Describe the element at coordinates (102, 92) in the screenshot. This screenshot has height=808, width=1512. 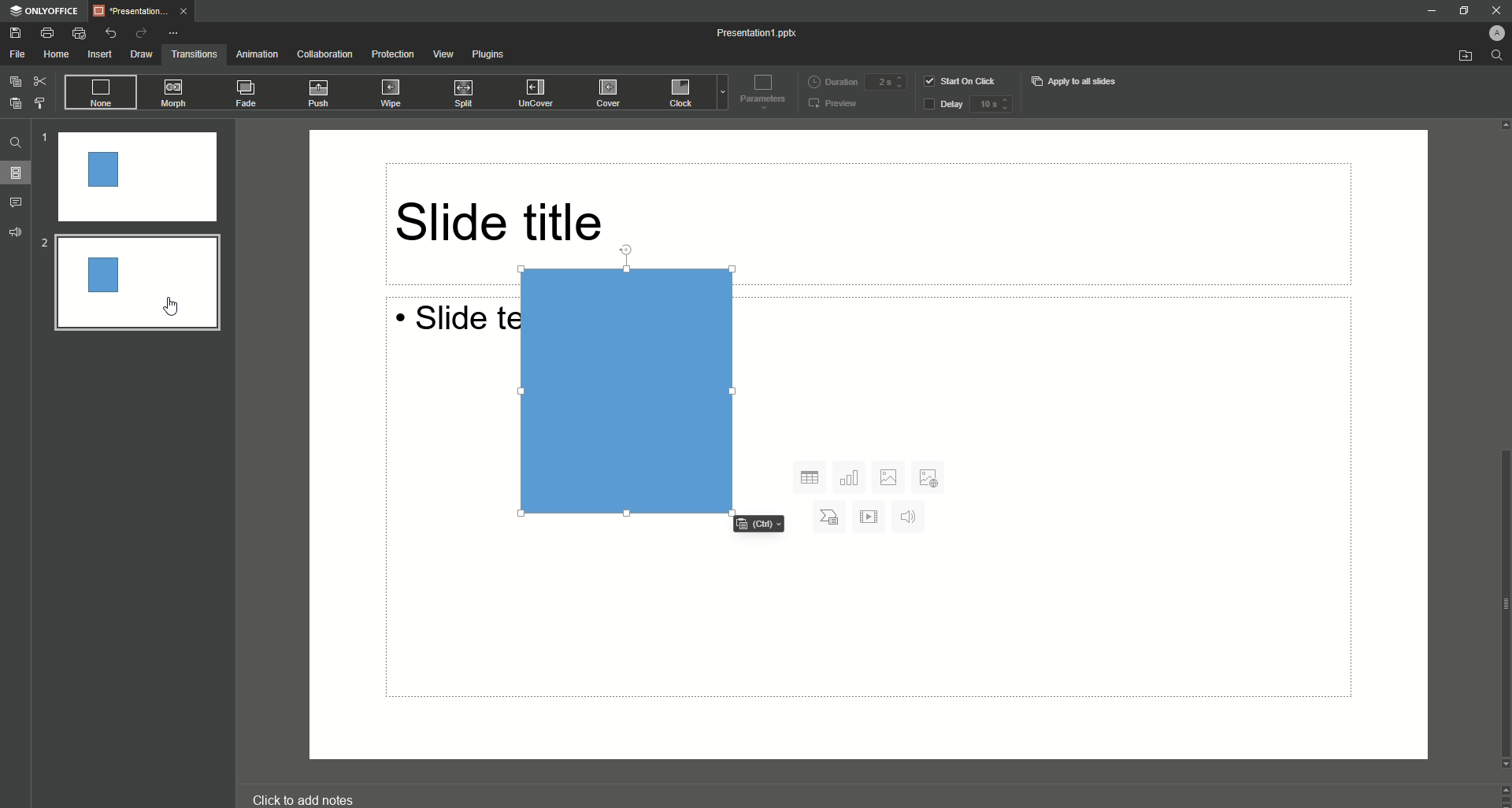
I see `None` at that location.